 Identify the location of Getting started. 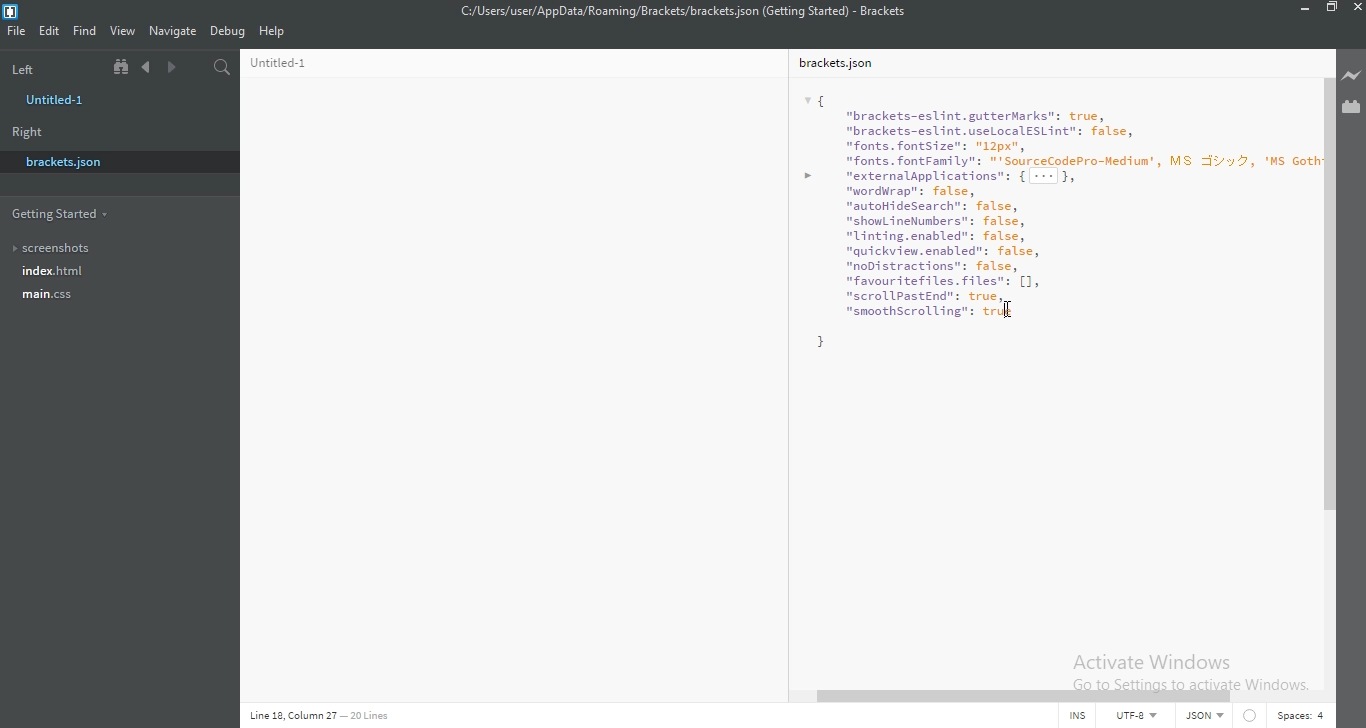
(84, 213).